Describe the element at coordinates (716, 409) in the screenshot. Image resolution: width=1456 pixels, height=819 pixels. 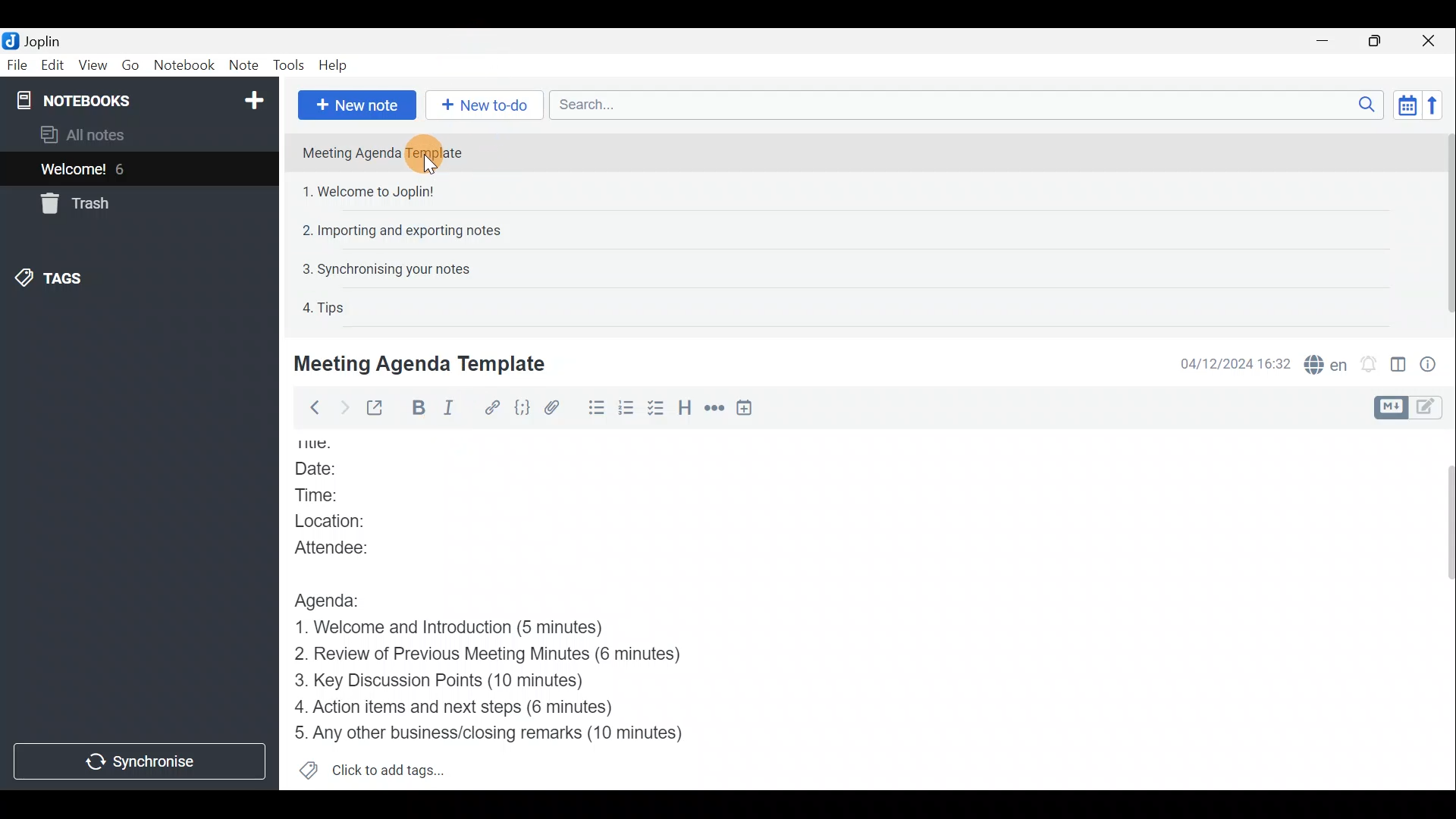
I see `Horizontal rule` at that location.